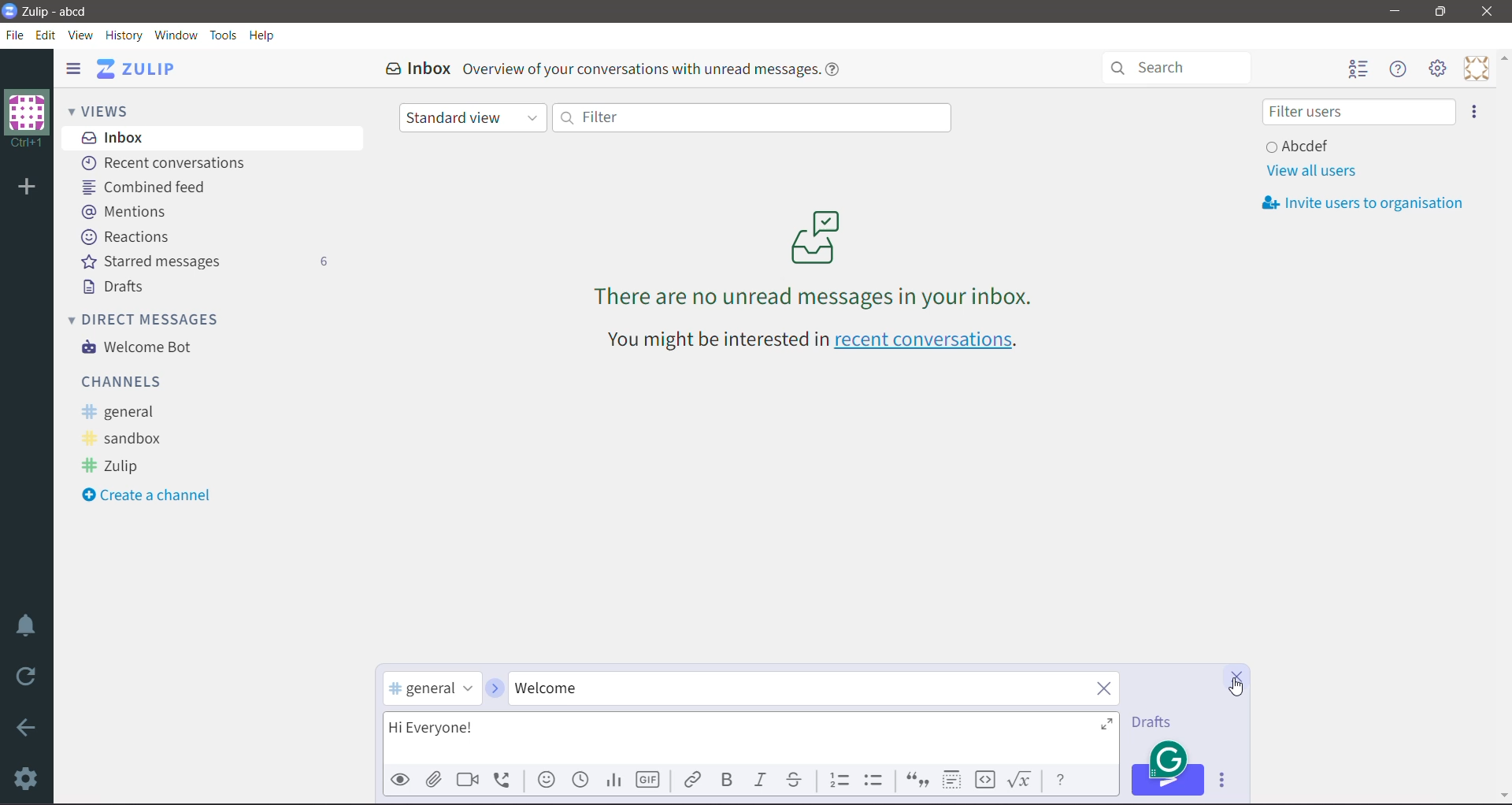 This screenshot has width=1512, height=805. I want to click on Application, so click(141, 69).